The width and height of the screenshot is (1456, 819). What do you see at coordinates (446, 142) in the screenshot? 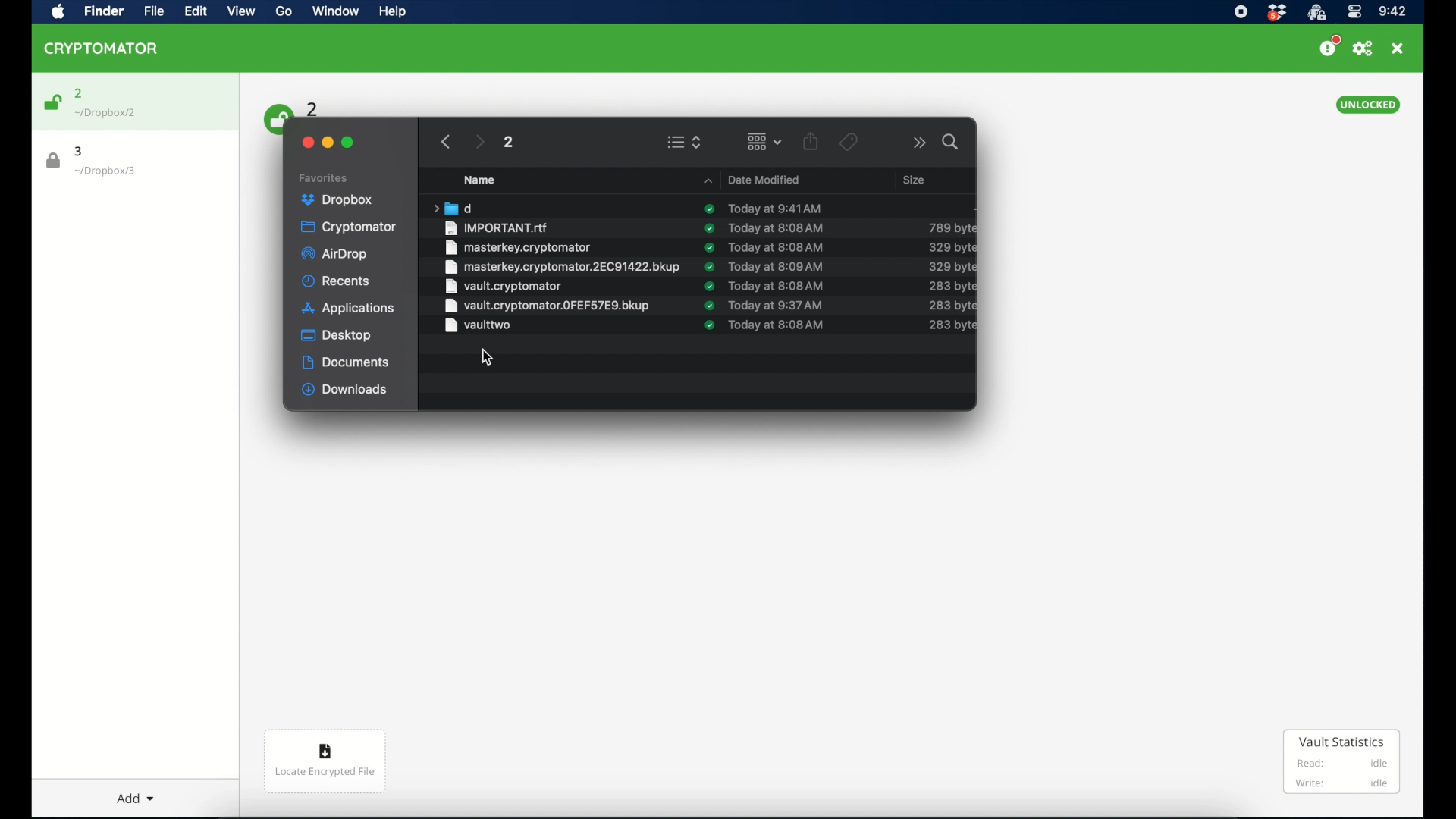
I see `previous` at bounding box center [446, 142].